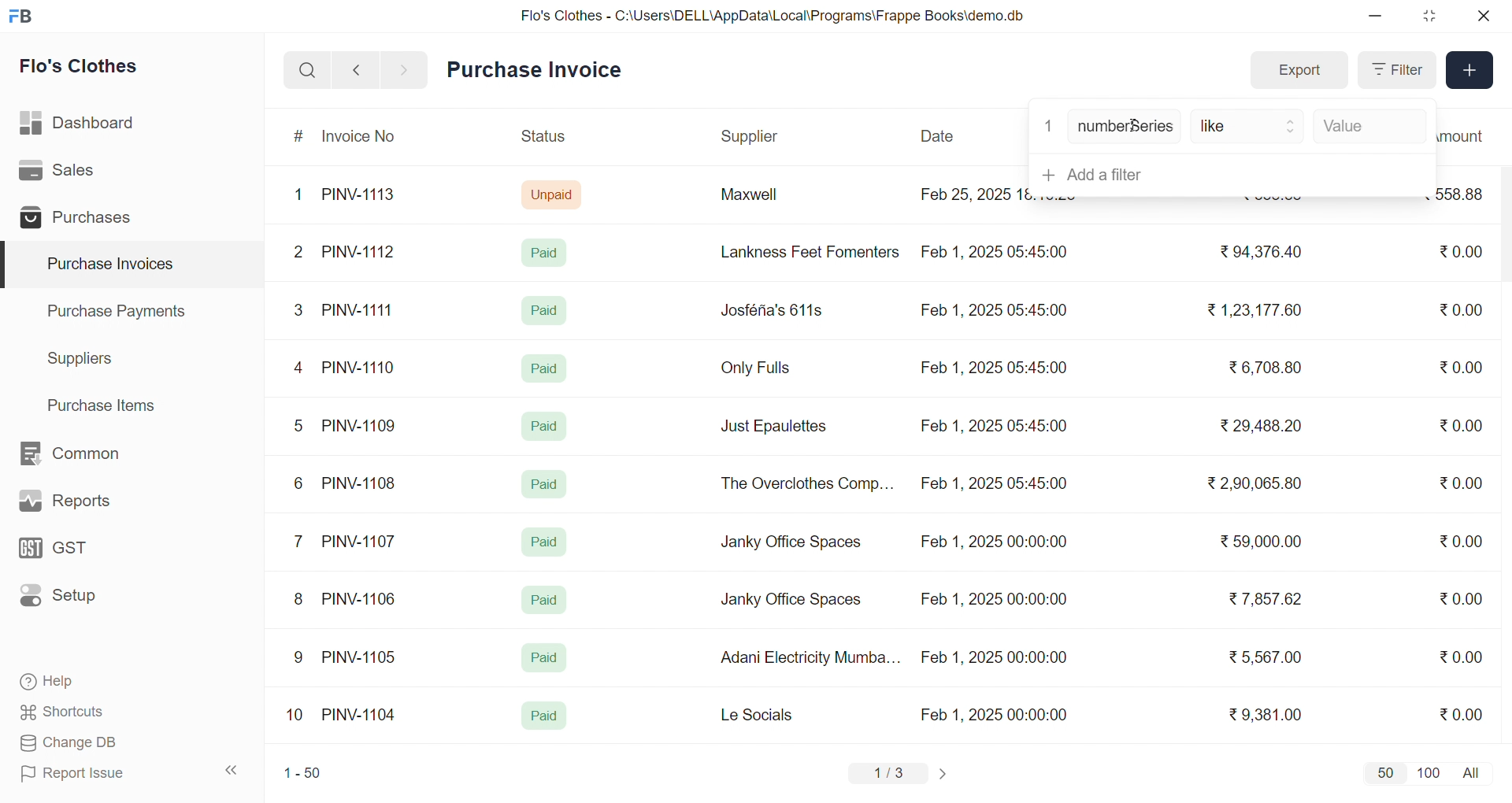 The width and height of the screenshot is (1512, 803). What do you see at coordinates (83, 505) in the screenshot?
I see `Reports` at bounding box center [83, 505].